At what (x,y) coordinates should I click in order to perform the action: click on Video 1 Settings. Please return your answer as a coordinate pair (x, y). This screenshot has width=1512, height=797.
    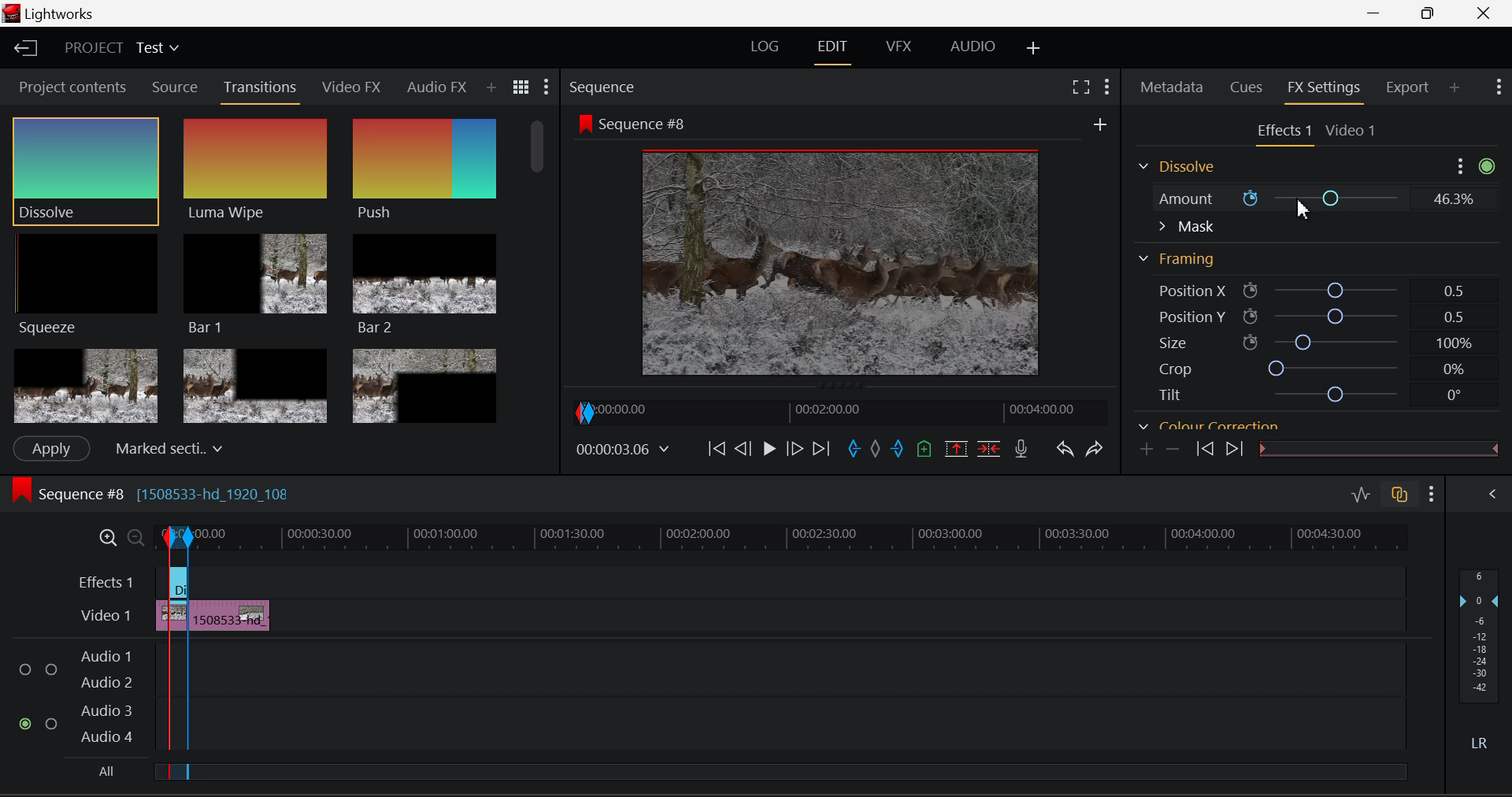
    Looking at the image, I should click on (1351, 129).